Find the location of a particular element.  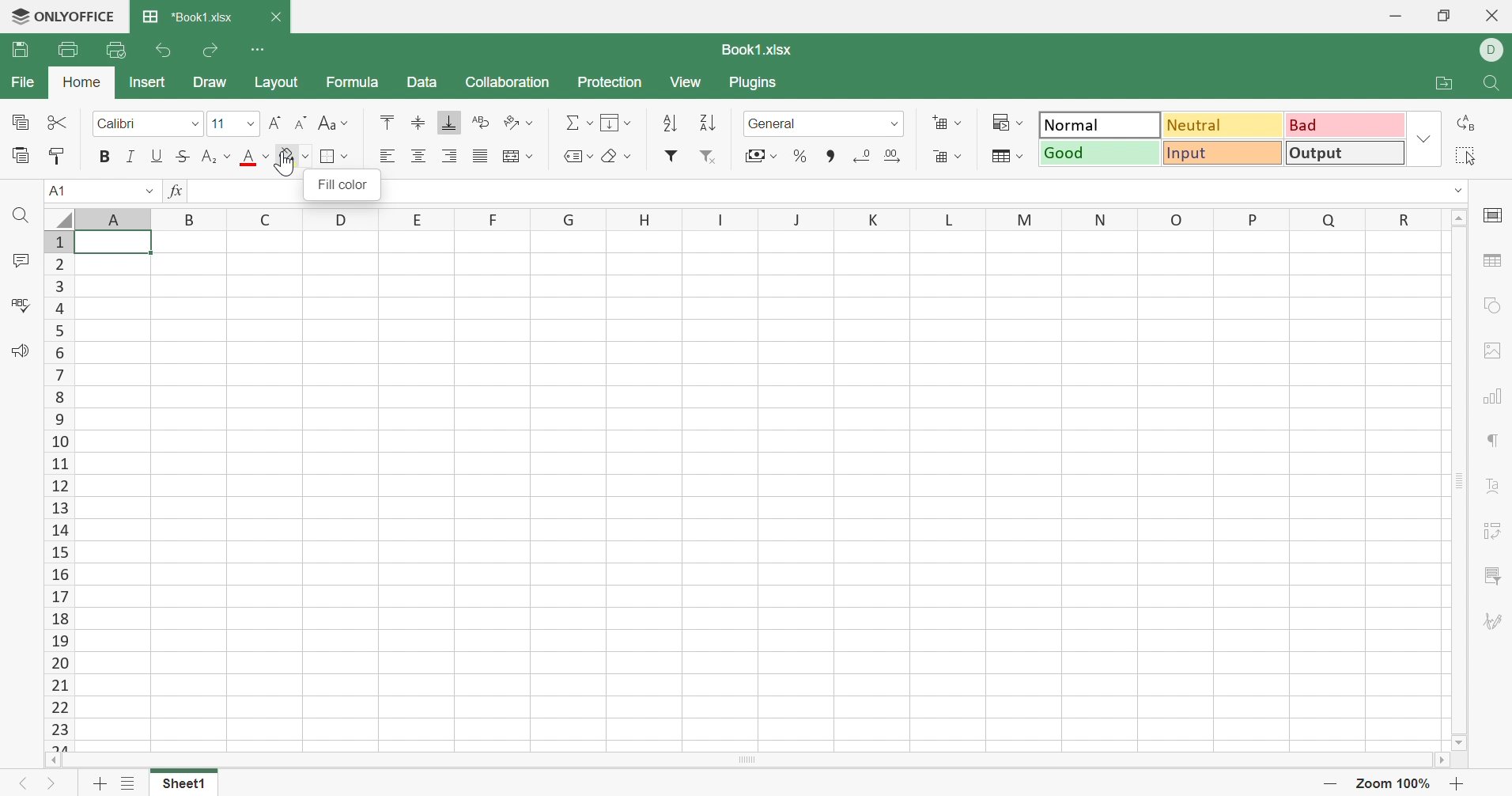

Layout is located at coordinates (276, 81).